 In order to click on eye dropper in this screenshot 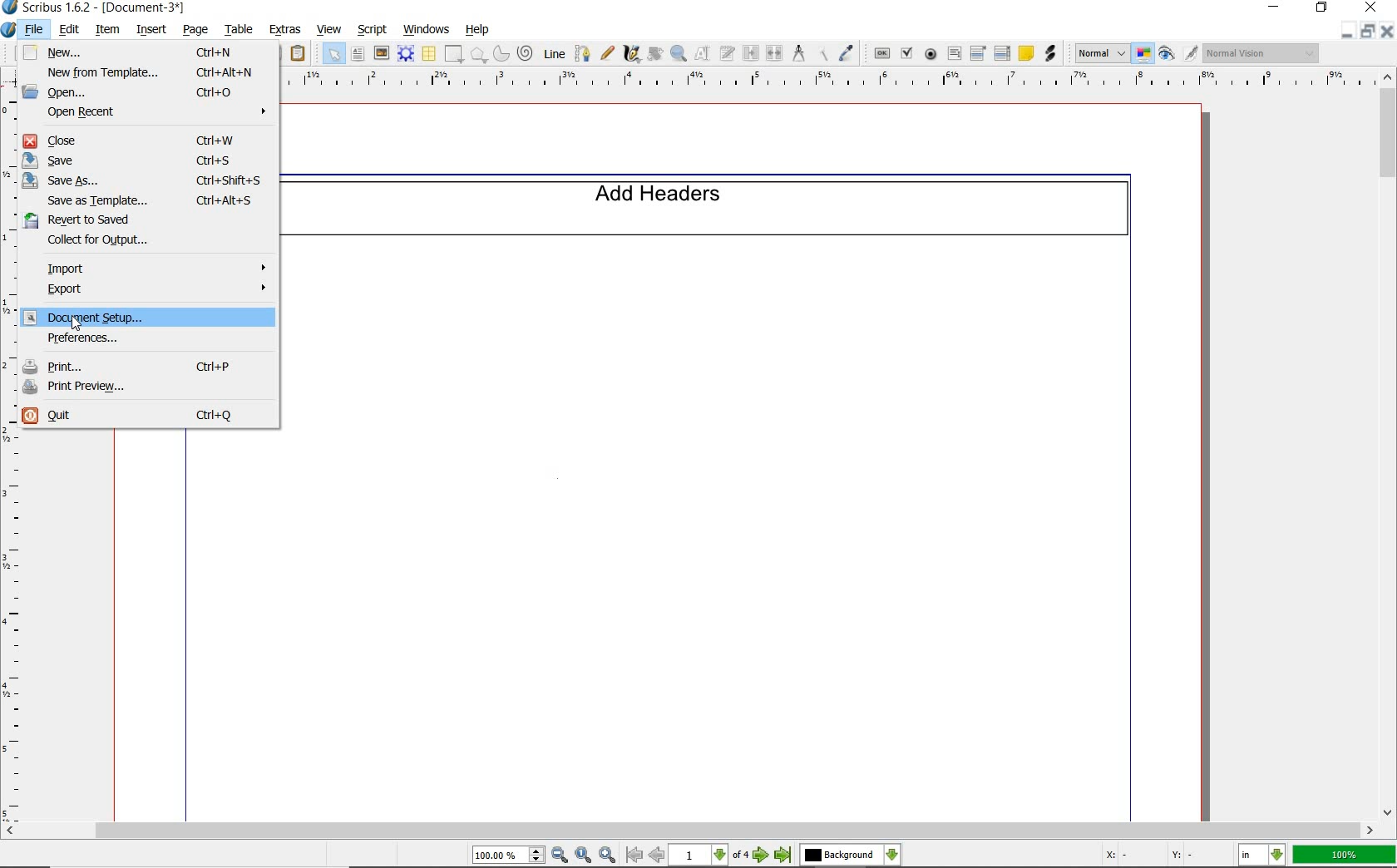, I will do `click(848, 52)`.